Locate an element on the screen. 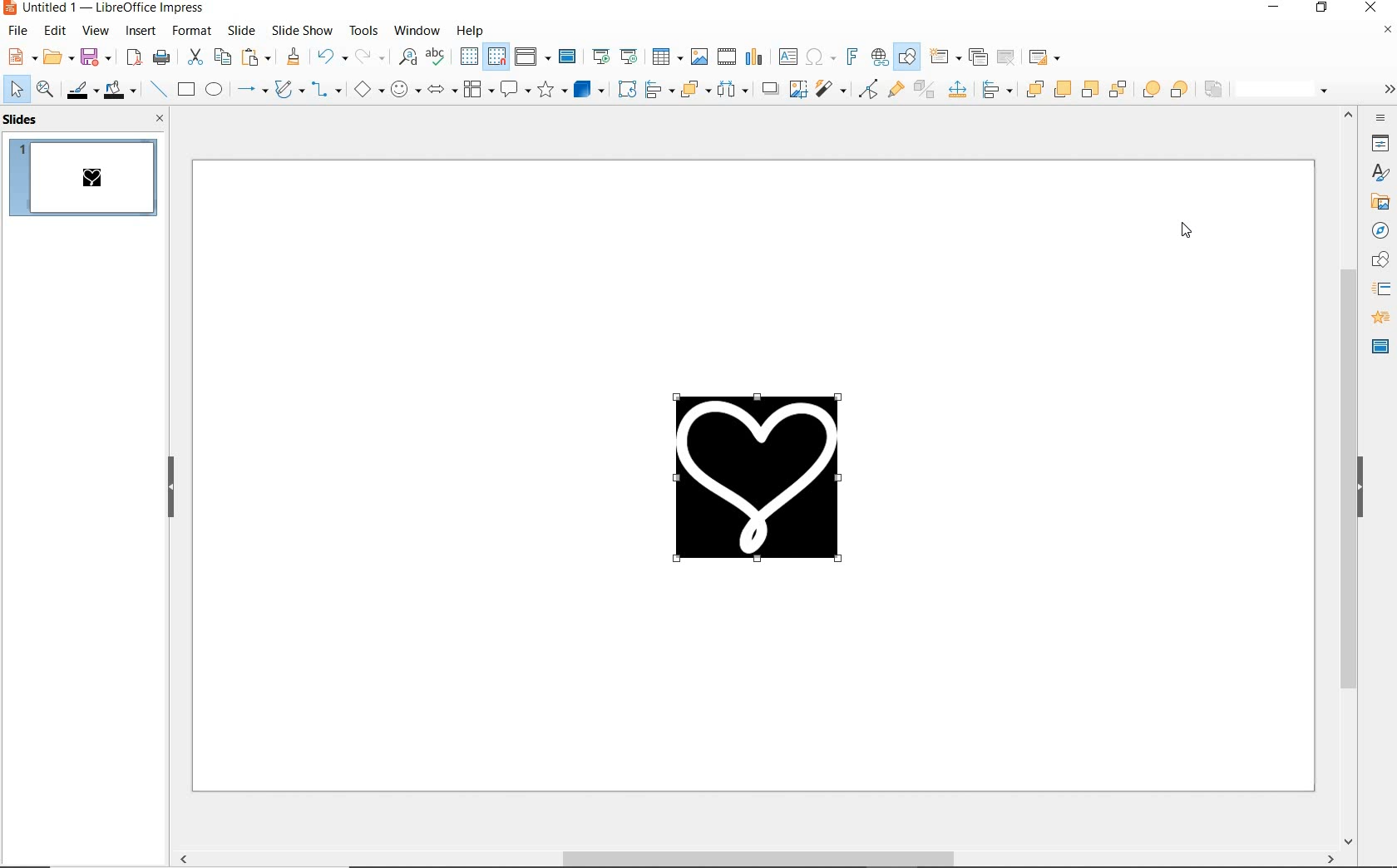 This screenshot has width=1397, height=868. new is located at coordinates (19, 57).